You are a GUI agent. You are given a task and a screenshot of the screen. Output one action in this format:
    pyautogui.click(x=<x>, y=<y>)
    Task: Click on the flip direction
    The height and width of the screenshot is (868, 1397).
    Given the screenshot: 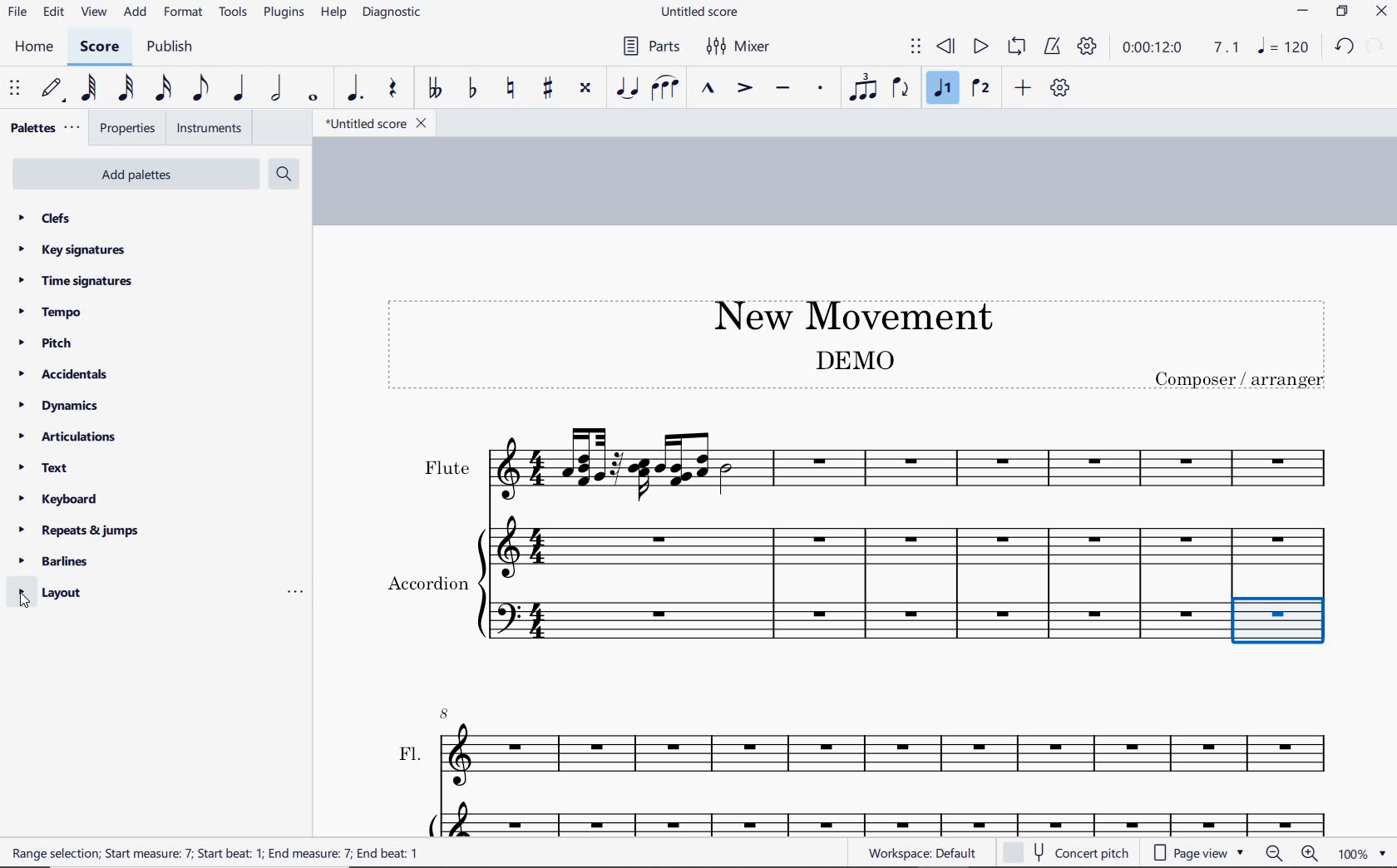 What is the action you would take?
    pyautogui.click(x=901, y=86)
    